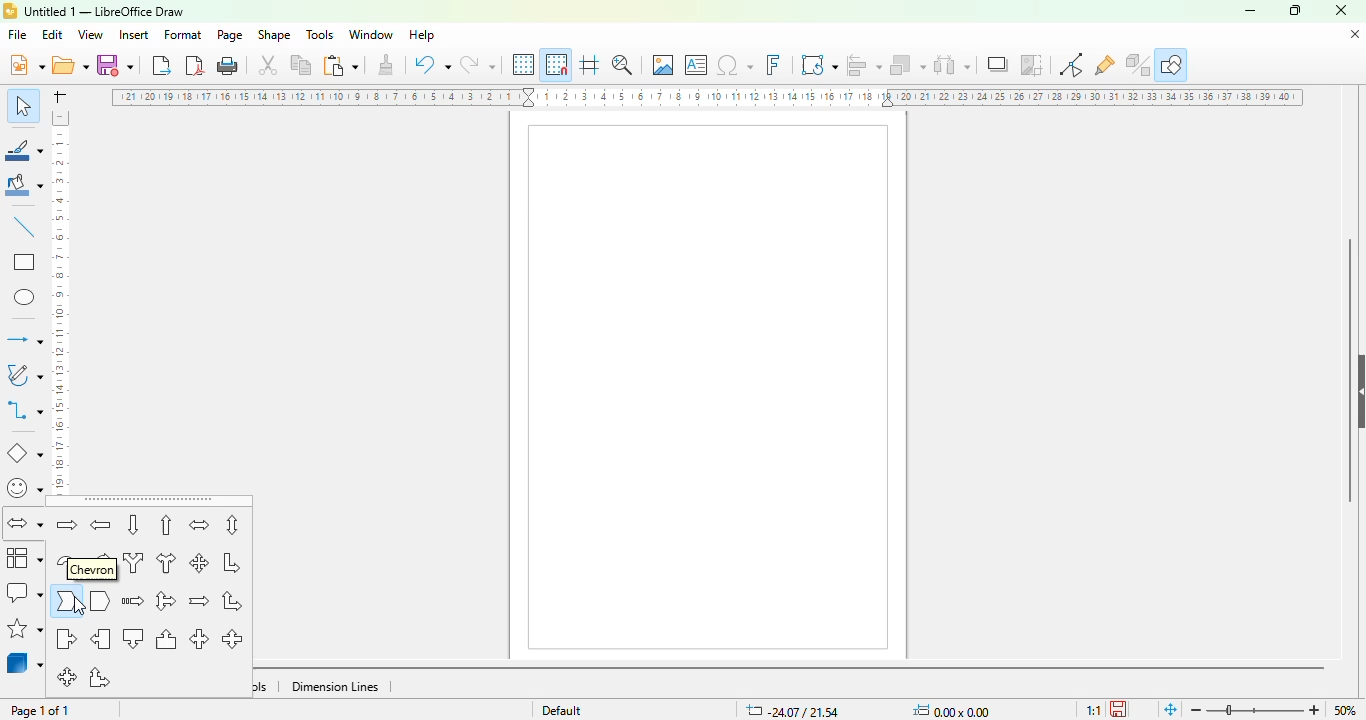 This screenshot has height=720, width=1366. What do you see at coordinates (708, 386) in the screenshot?
I see `page` at bounding box center [708, 386].